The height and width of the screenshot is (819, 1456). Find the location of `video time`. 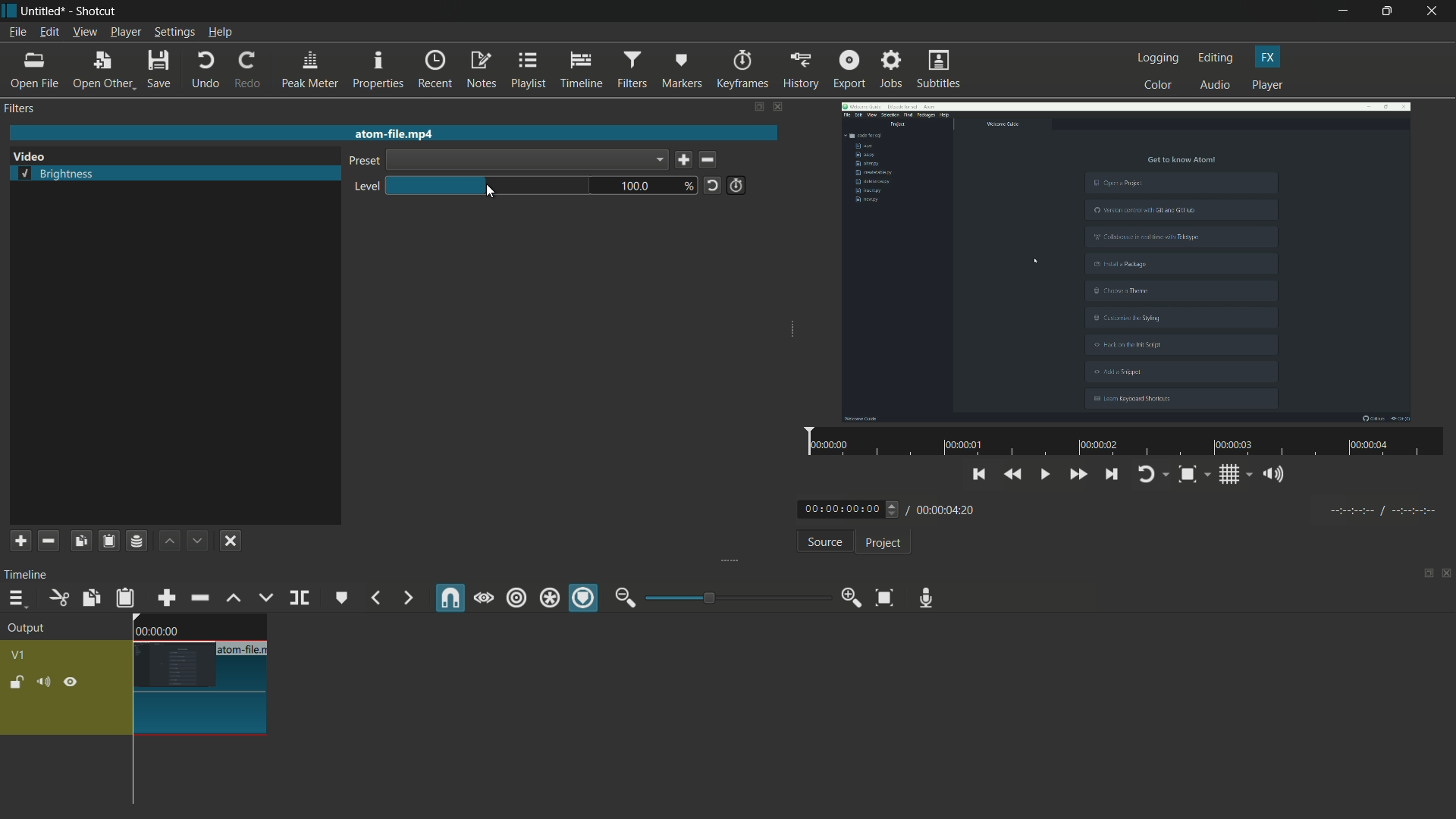

video time is located at coordinates (1122, 443).